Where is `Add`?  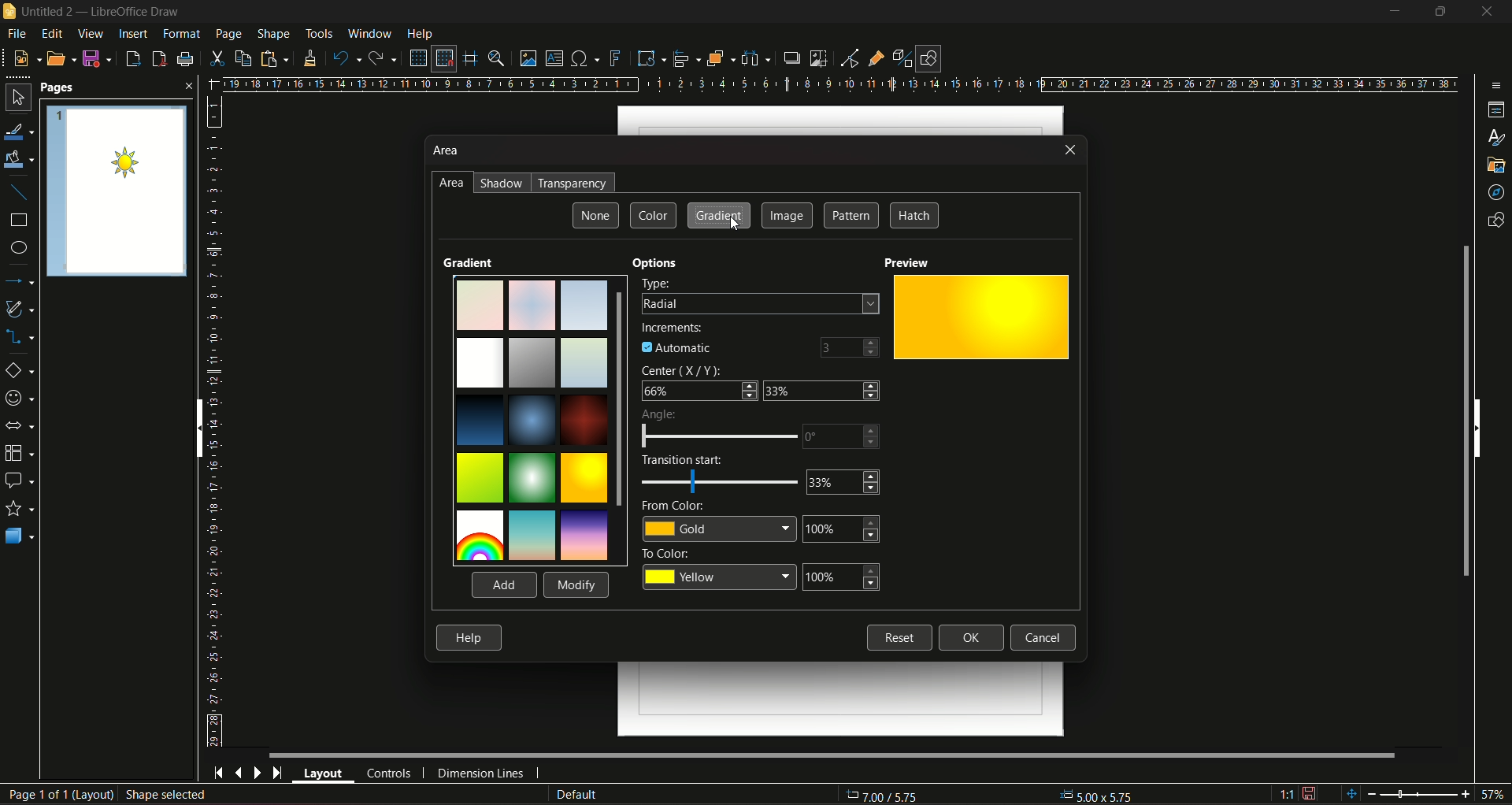 Add is located at coordinates (506, 586).